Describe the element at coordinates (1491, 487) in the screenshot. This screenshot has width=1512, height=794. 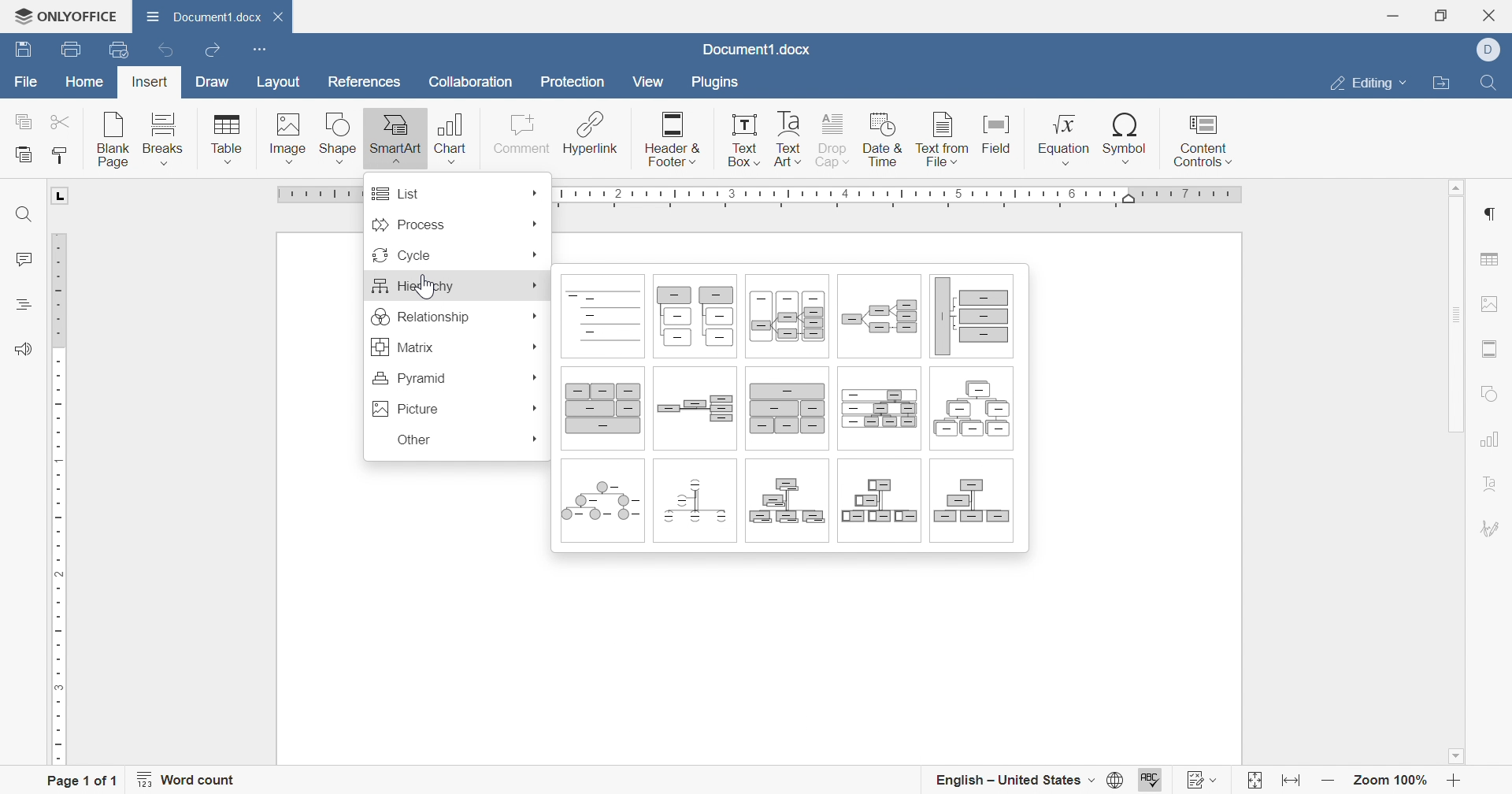
I see `Text art settings` at that location.